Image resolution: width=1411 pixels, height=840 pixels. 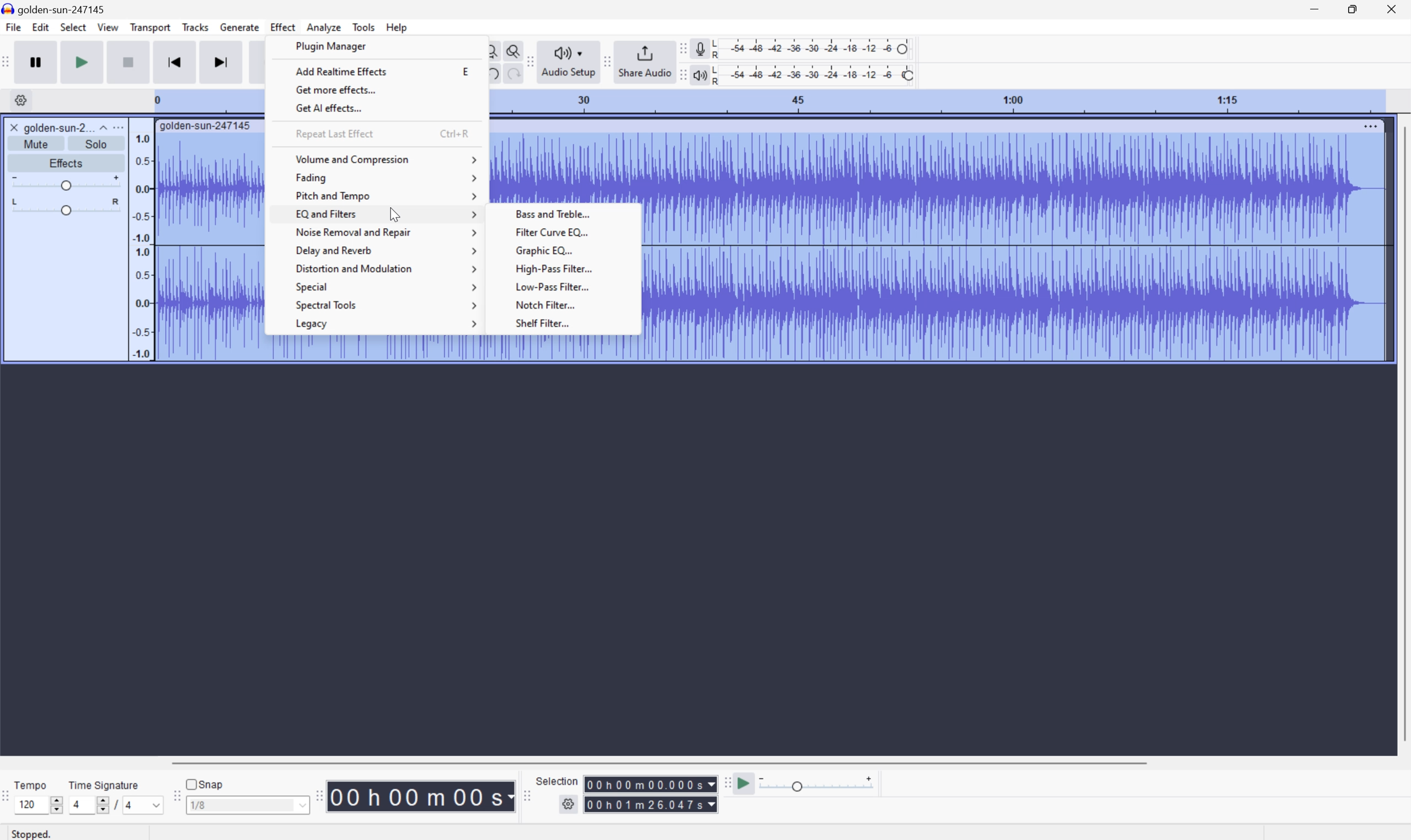 What do you see at coordinates (36, 144) in the screenshot?
I see `Mute` at bounding box center [36, 144].